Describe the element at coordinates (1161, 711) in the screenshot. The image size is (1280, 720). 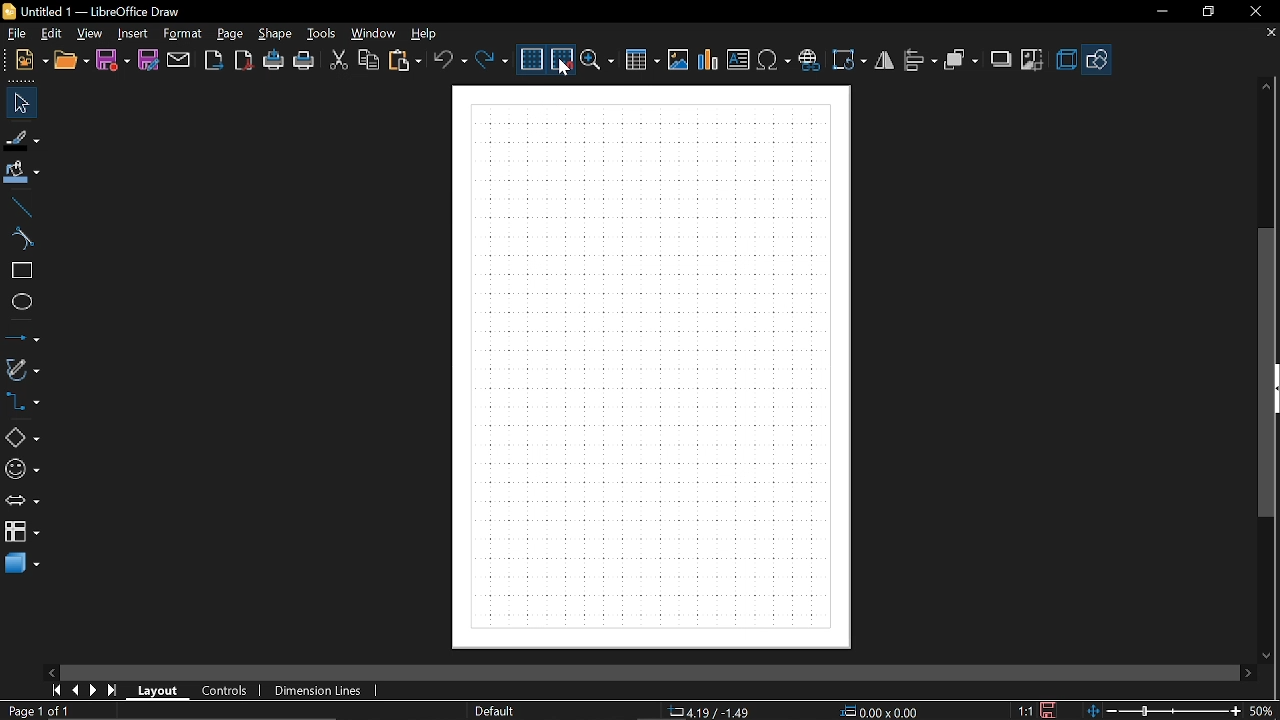
I see `change zoom` at that location.